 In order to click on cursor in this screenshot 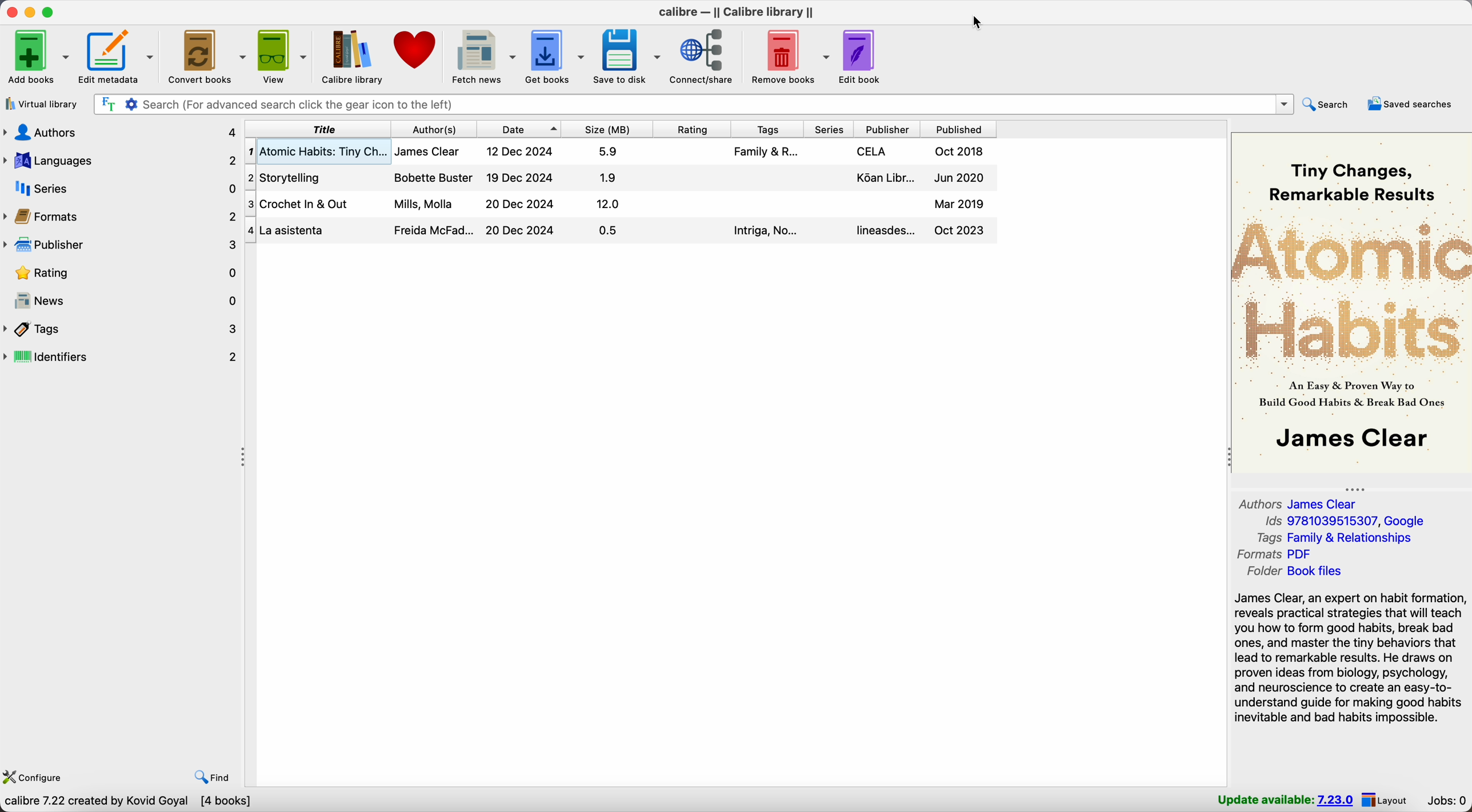, I will do `click(976, 23)`.